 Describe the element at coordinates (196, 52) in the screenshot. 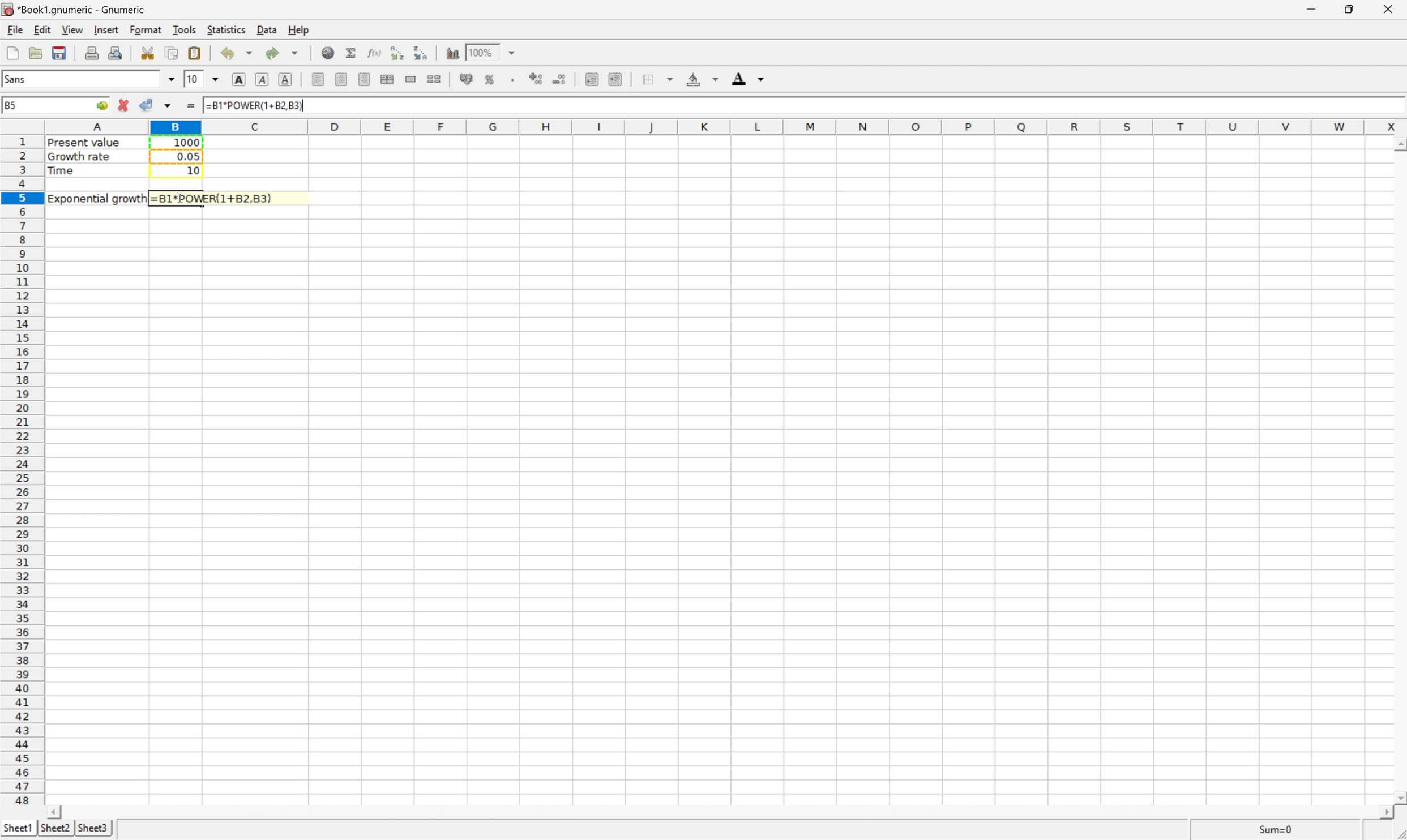

I see `Paste the clipboard` at that location.